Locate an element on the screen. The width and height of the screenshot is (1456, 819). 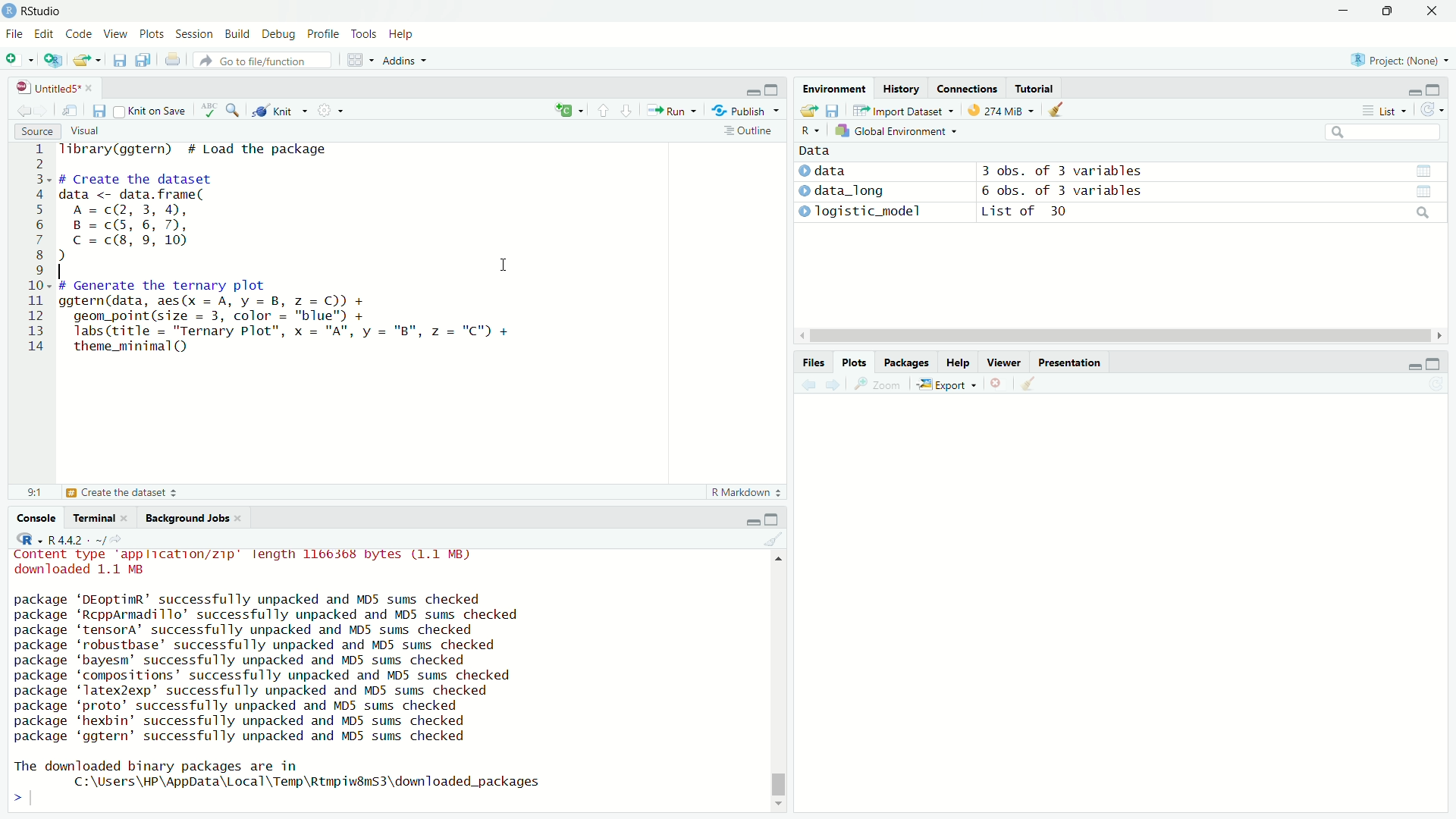
1
2
3.
4
5
6
7
8
9
10
11
12
13
14 is located at coordinates (39, 251).